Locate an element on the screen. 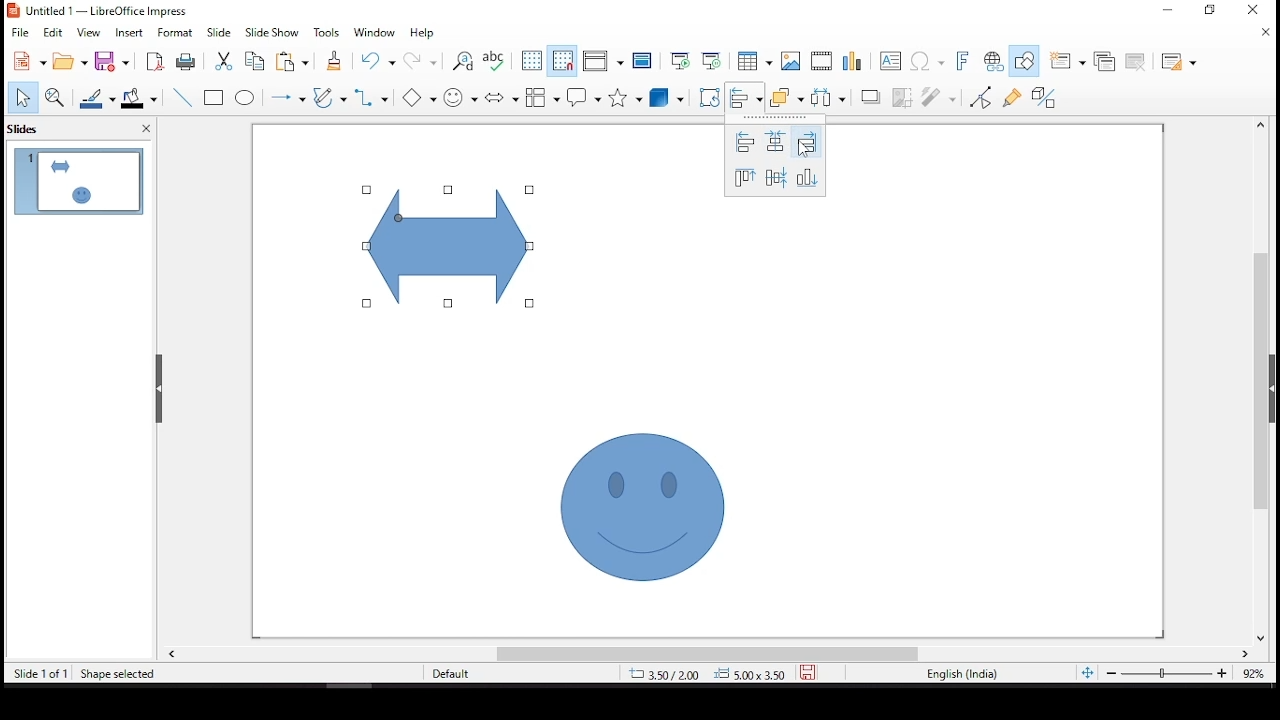 The image size is (1280, 720). master slide is located at coordinates (644, 63).